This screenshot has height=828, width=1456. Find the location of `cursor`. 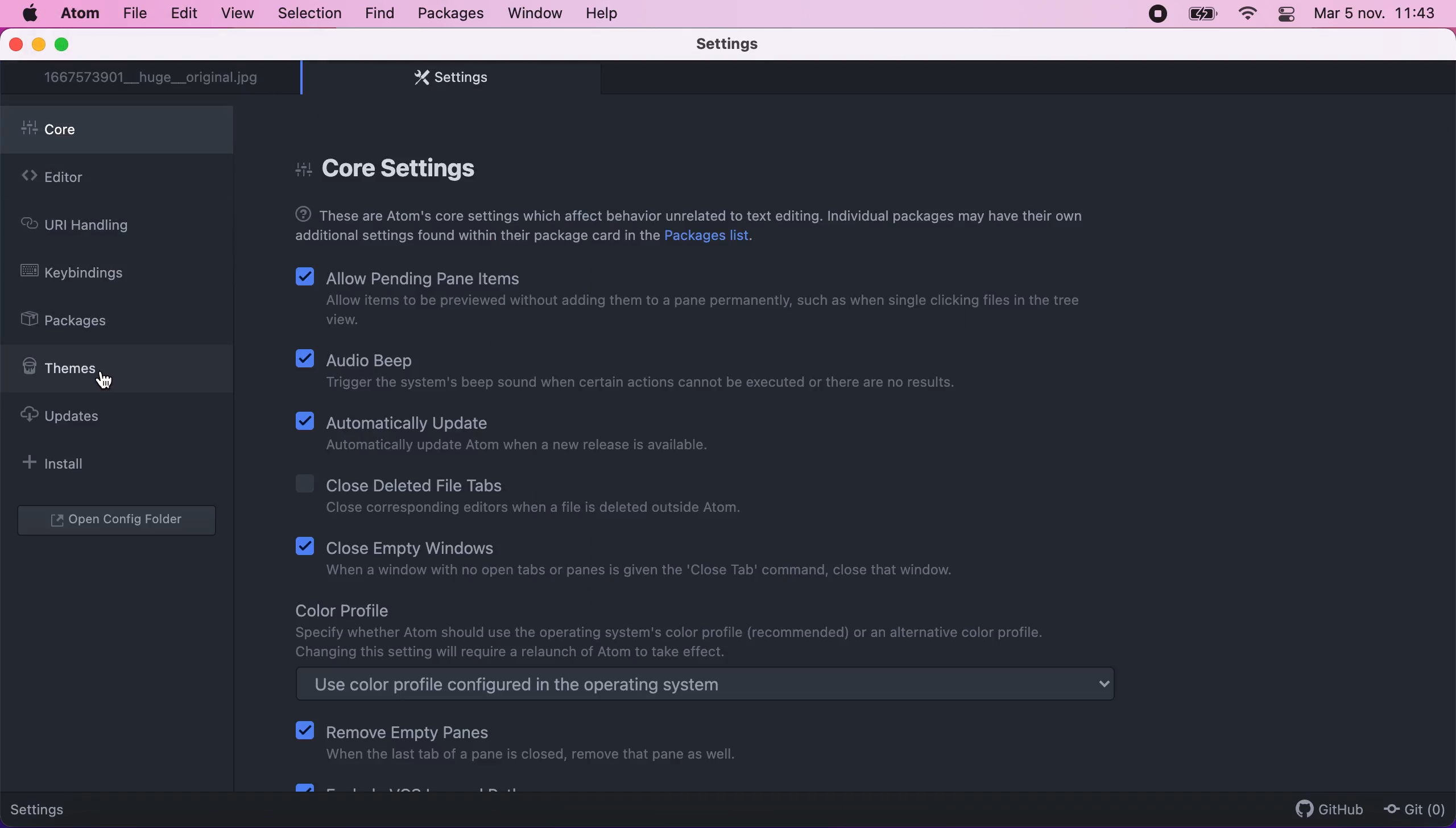

cursor is located at coordinates (102, 379).